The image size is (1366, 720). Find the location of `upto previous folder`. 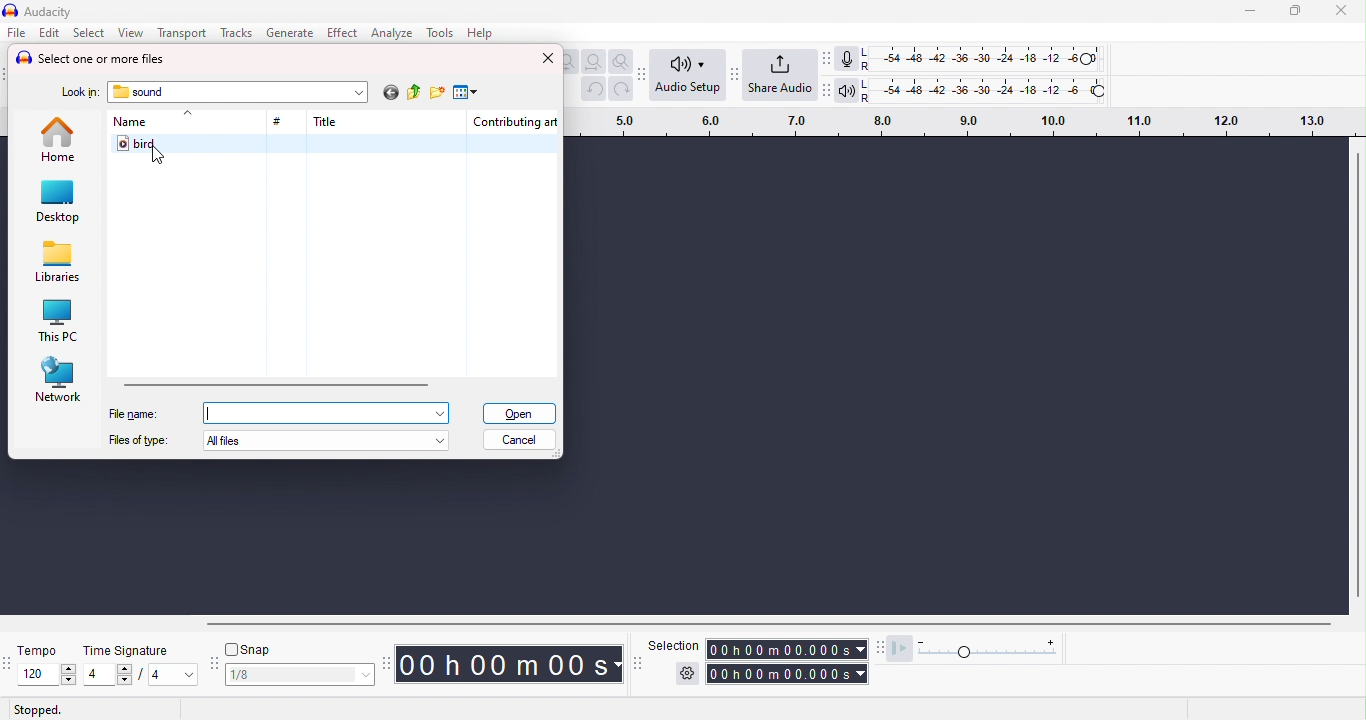

upto previous folder is located at coordinates (415, 94).